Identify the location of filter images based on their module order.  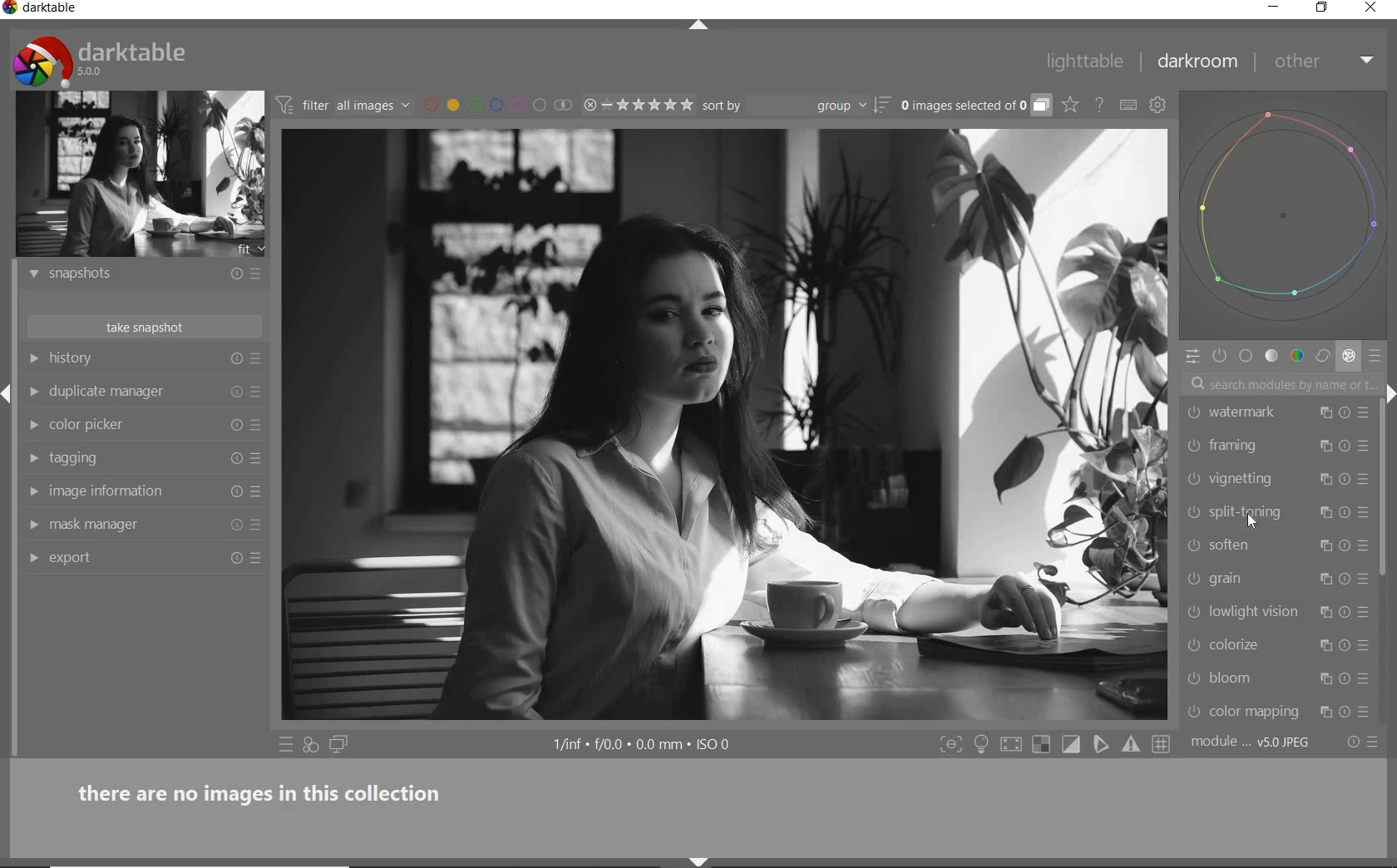
(344, 107).